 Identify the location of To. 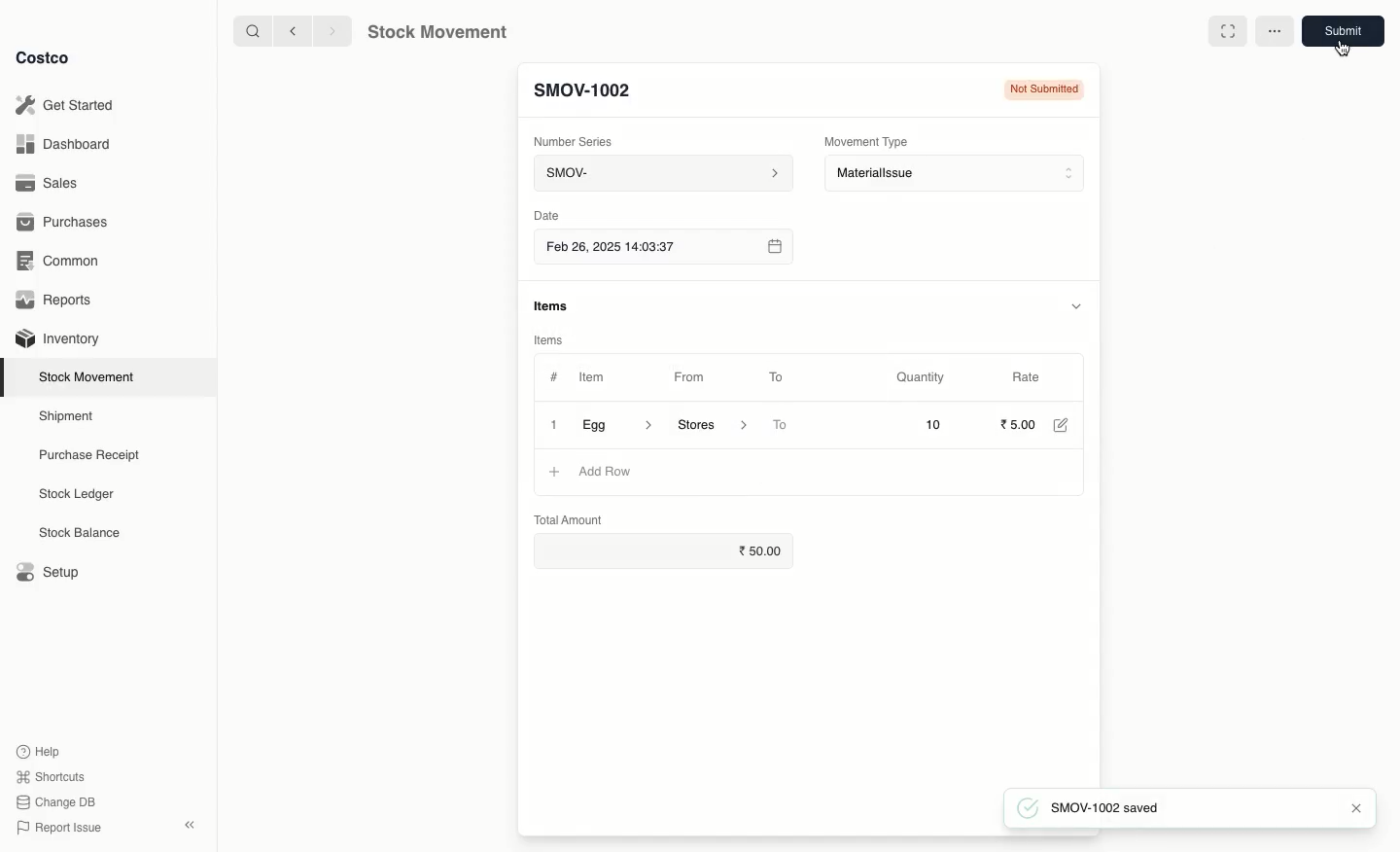
(782, 426).